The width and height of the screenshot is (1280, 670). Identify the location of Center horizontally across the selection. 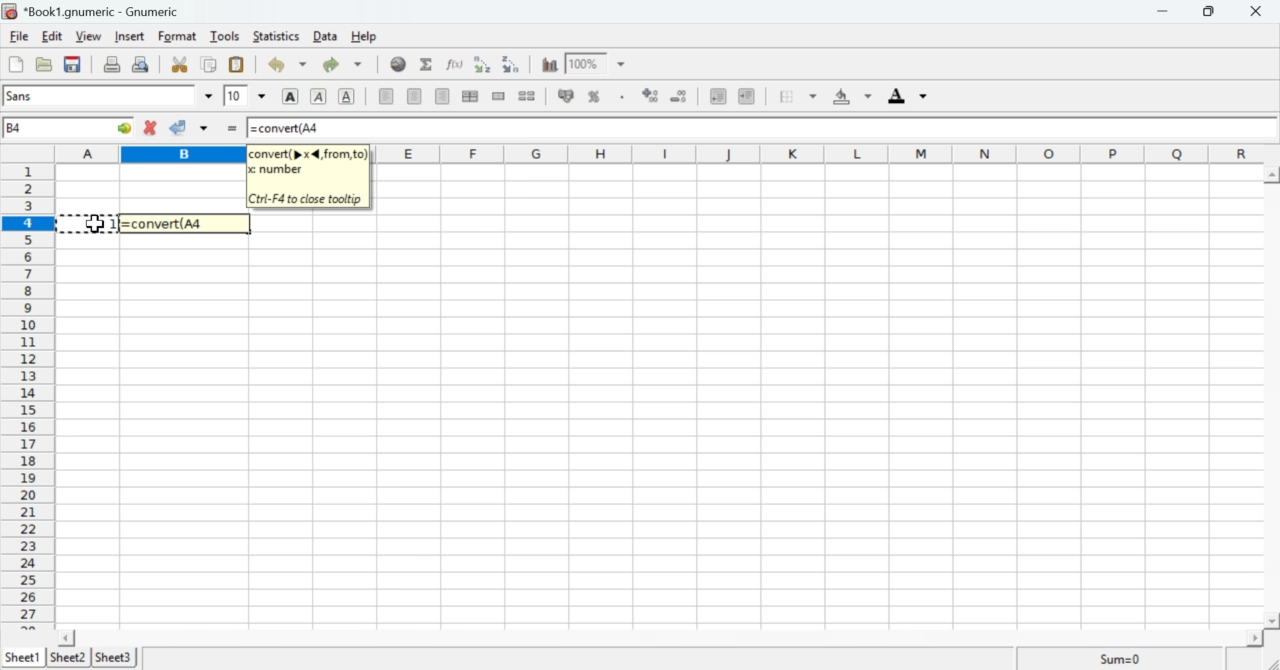
(470, 98).